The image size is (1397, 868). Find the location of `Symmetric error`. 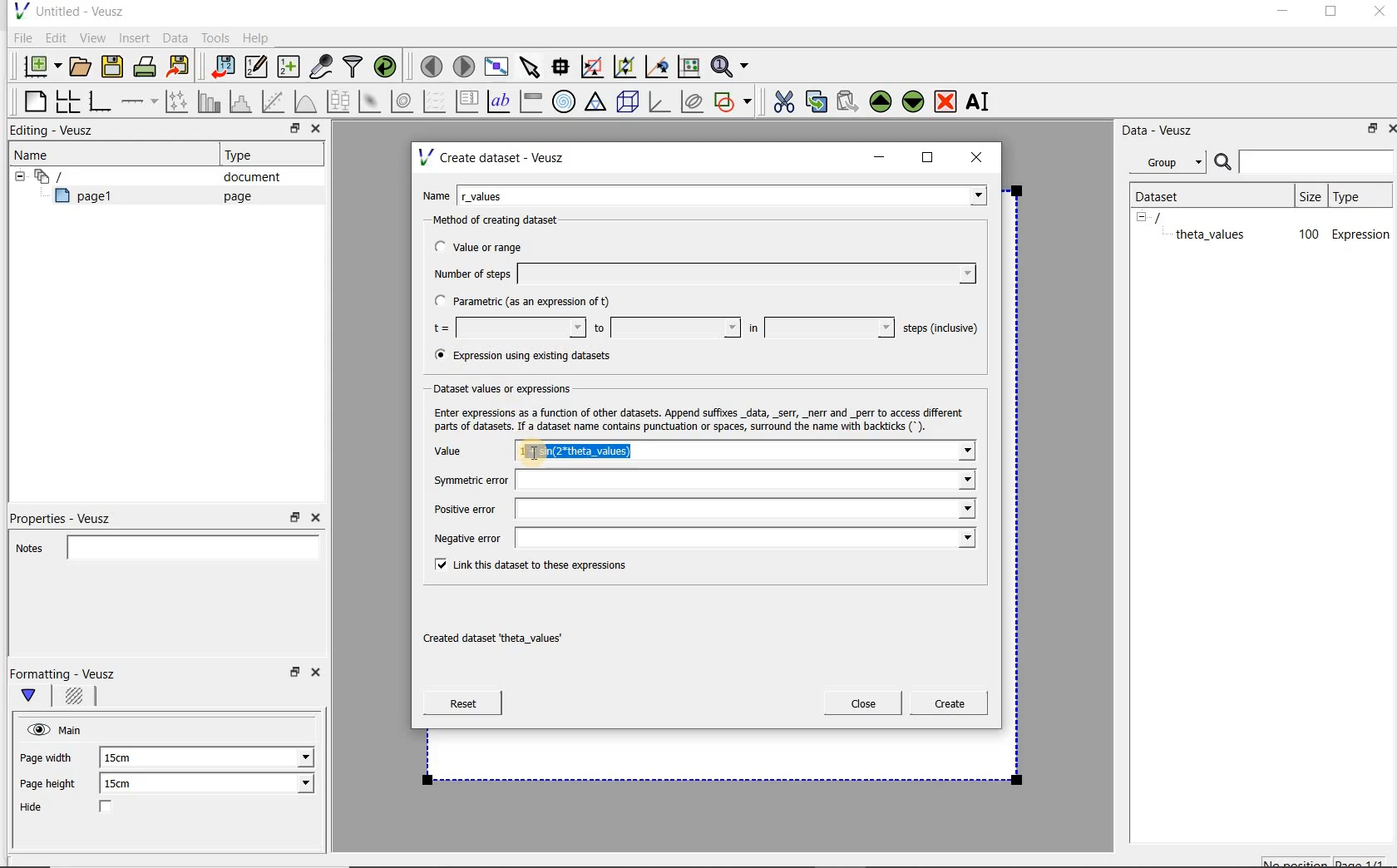

Symmetric error is located at coordinates (700, 481).